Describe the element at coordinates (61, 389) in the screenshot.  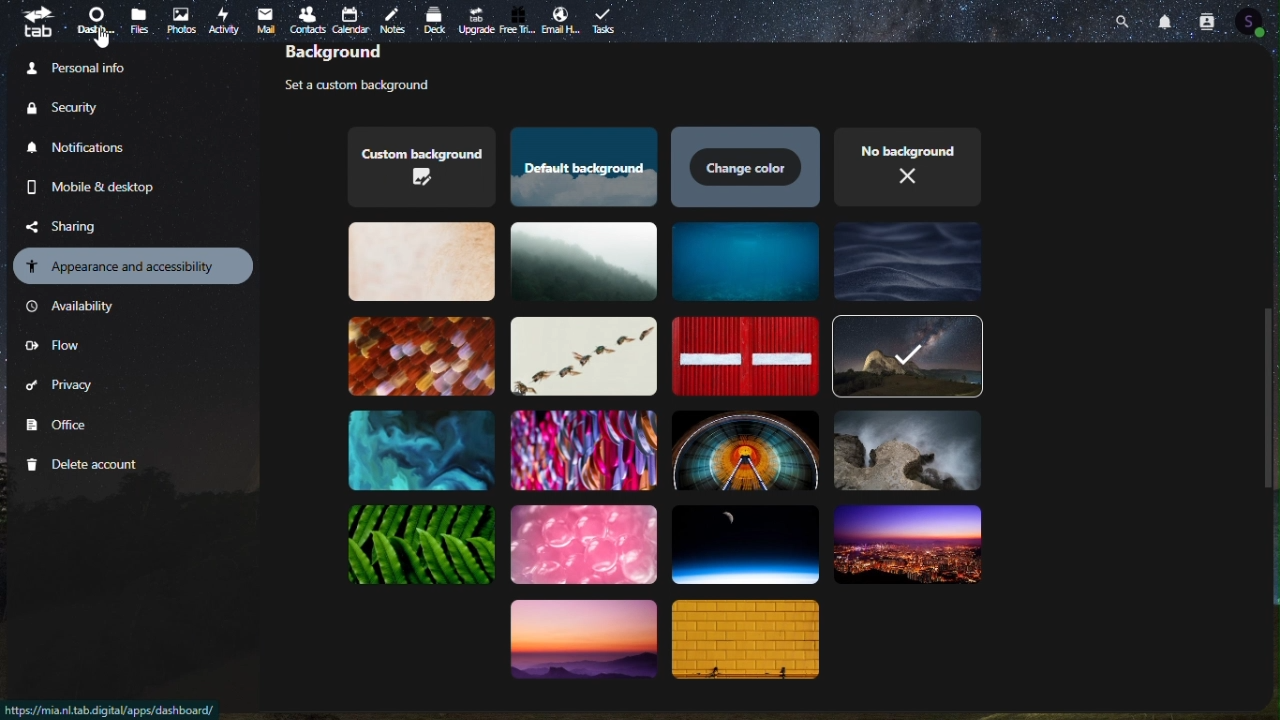
I see `Privacy` at that location.